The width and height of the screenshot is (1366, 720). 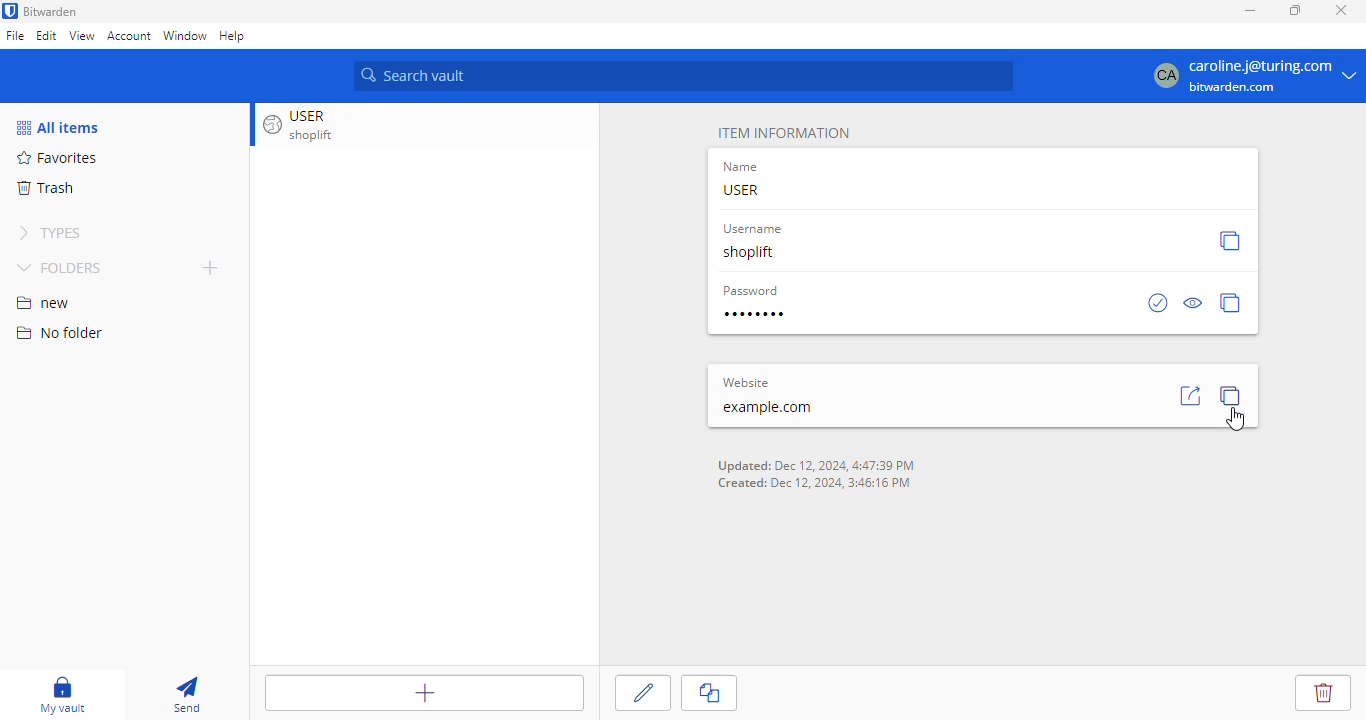 What do you see at coordinates (1250, 11) in the screenshot?
I see `minimize` at bounding box center [1250, 11].